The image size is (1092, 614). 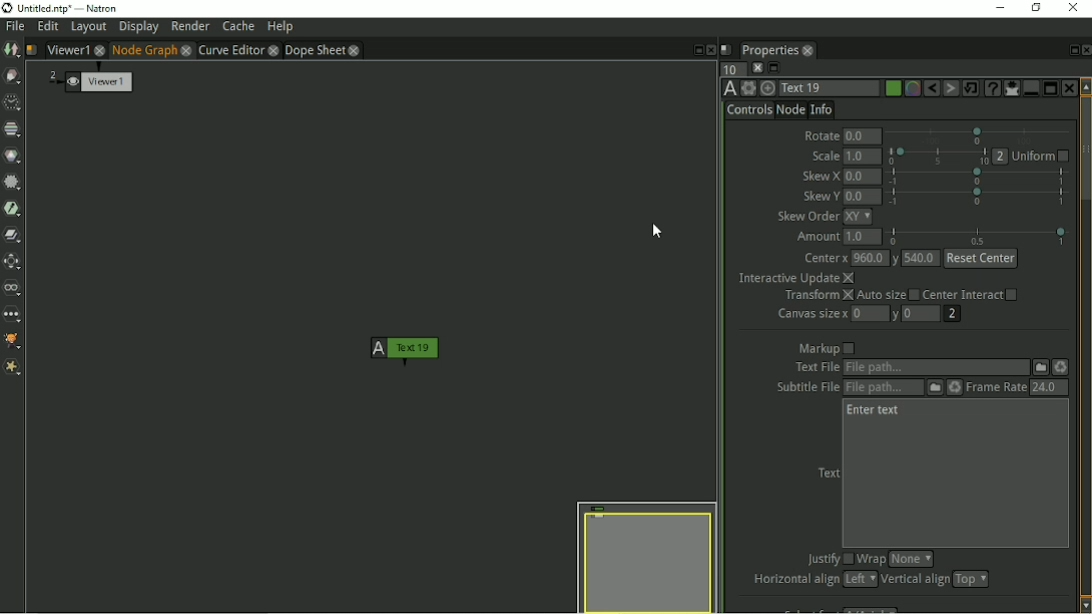 What do you see at coordinates (231, 50) in the screenshot?
I see `Curve Editor` at bounding box center [231, 50].